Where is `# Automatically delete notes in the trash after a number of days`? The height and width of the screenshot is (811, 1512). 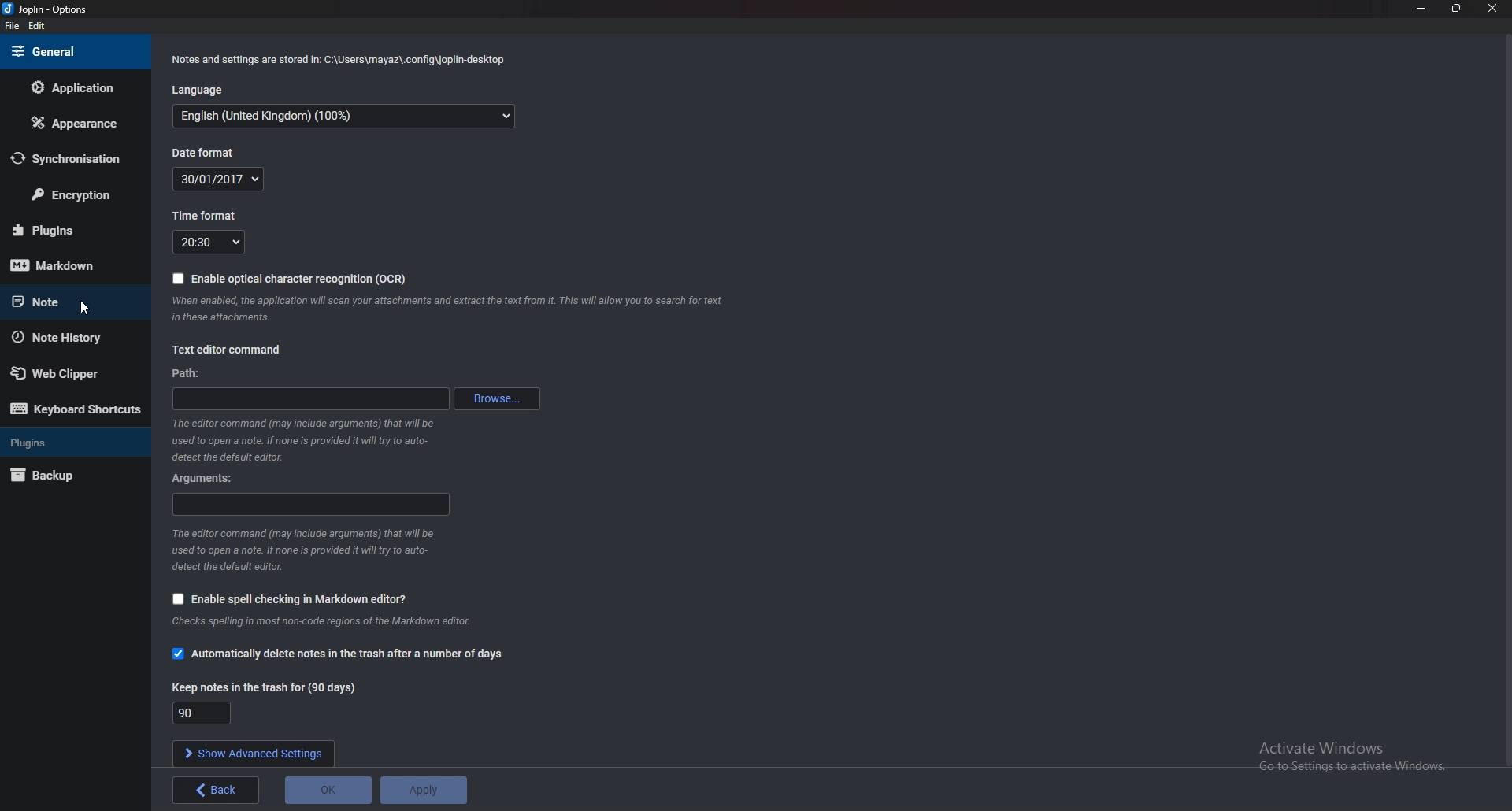 # Automatically delete notes in the trash after a number of days is located at coordinates (334, 653).